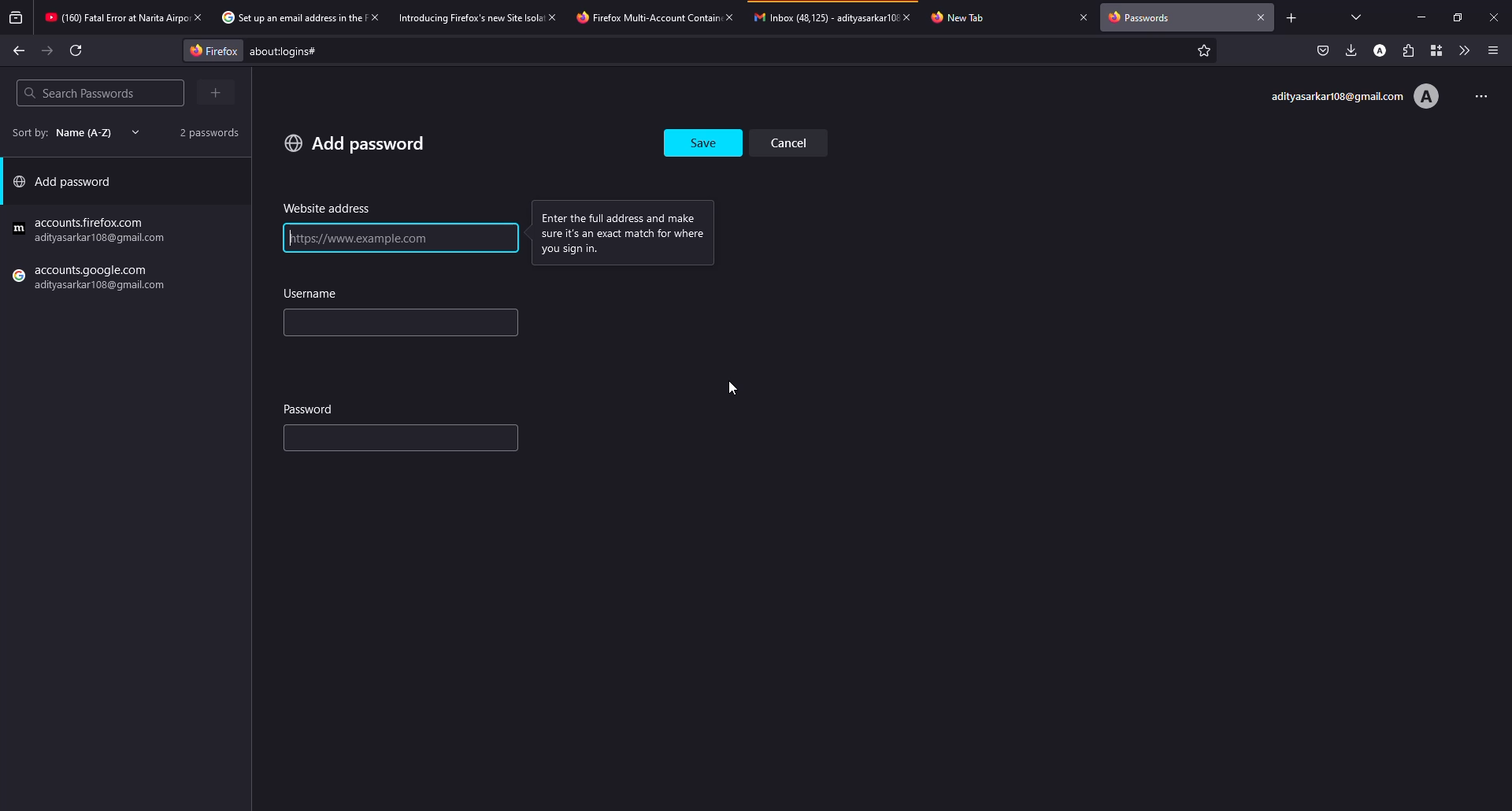 Image resolution: width=1512 pixels, height=811 pixels. What do you see at coordinates (213, 93) in the screenshot?
I see `add more` at bounding box center [213, 93].